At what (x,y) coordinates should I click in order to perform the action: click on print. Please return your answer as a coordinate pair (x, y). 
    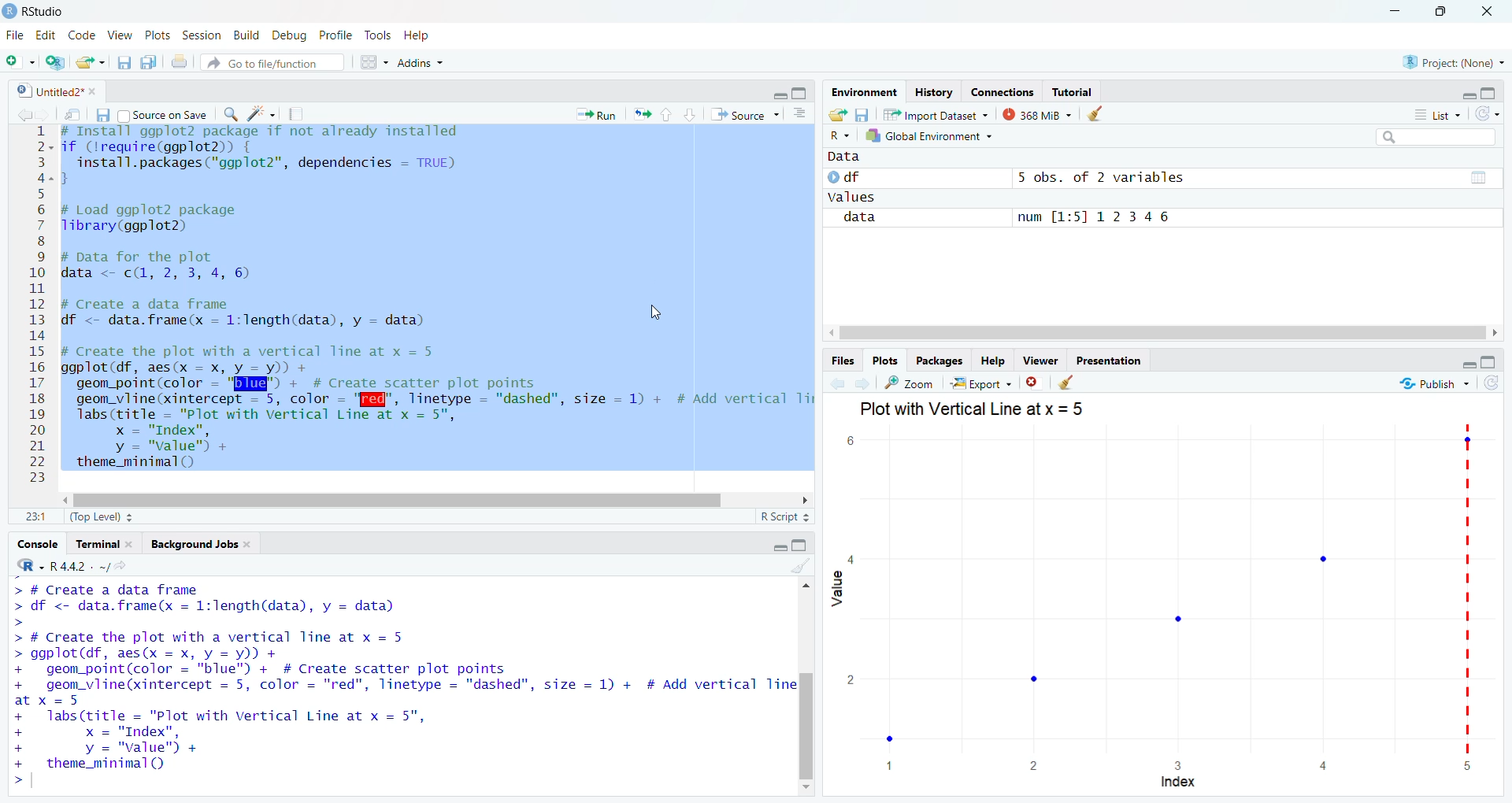
    Looking at the image, I should click on (181, 64).